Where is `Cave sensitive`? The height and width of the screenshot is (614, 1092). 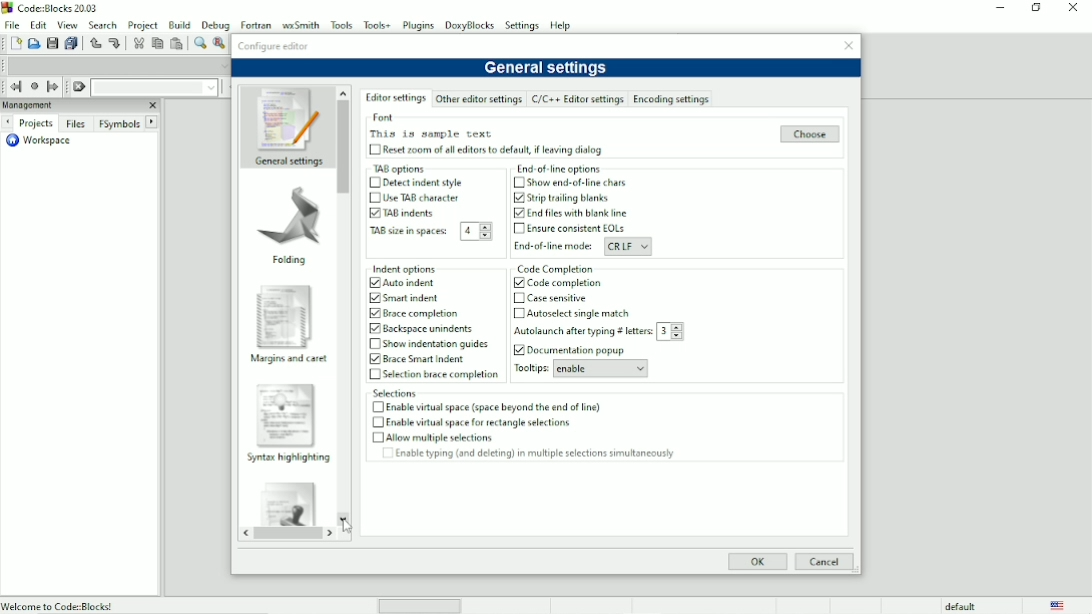
Cave sensitive is located at coordinates (558, 297).